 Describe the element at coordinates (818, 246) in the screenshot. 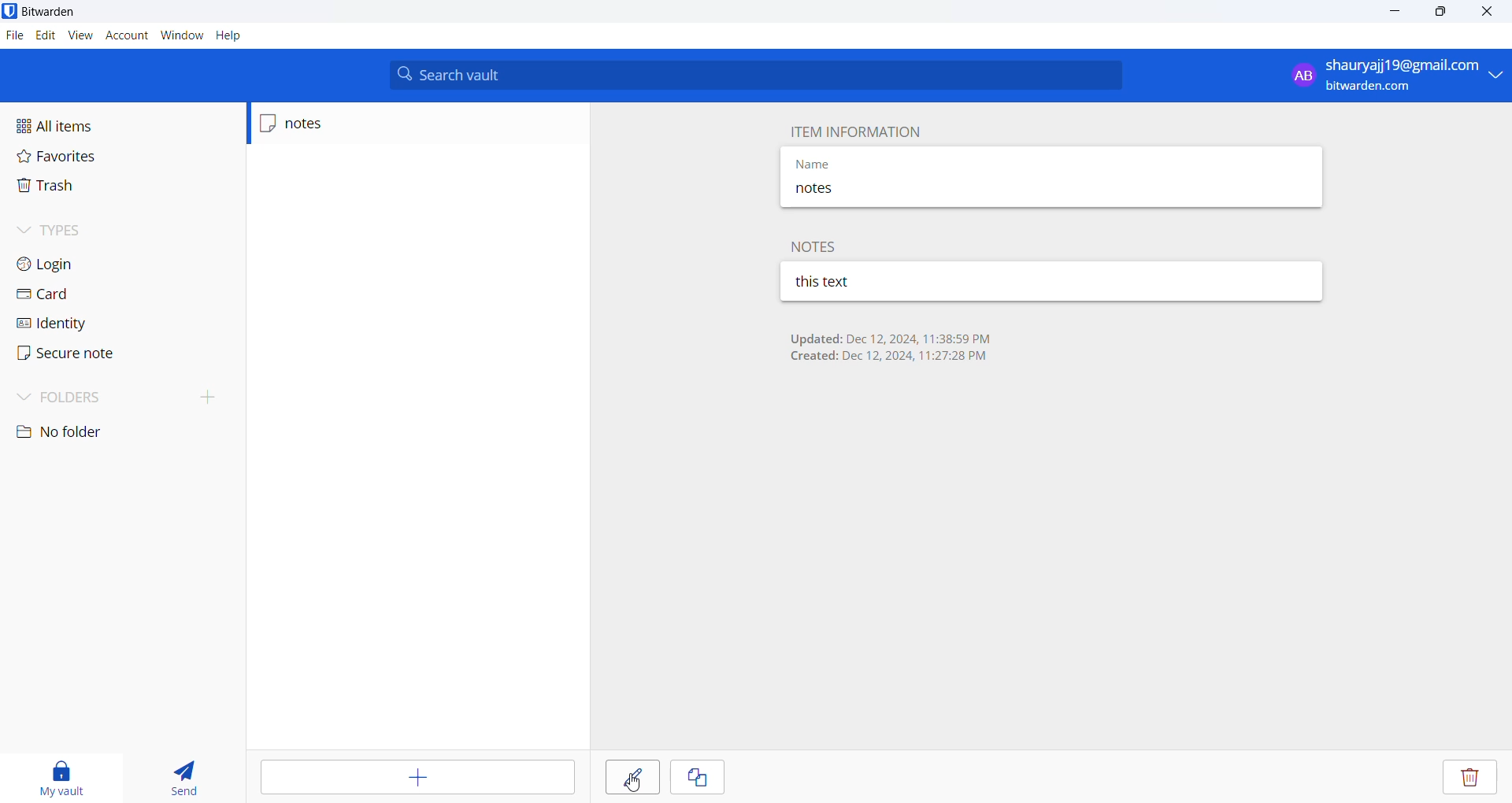

I see `notes` at that location.